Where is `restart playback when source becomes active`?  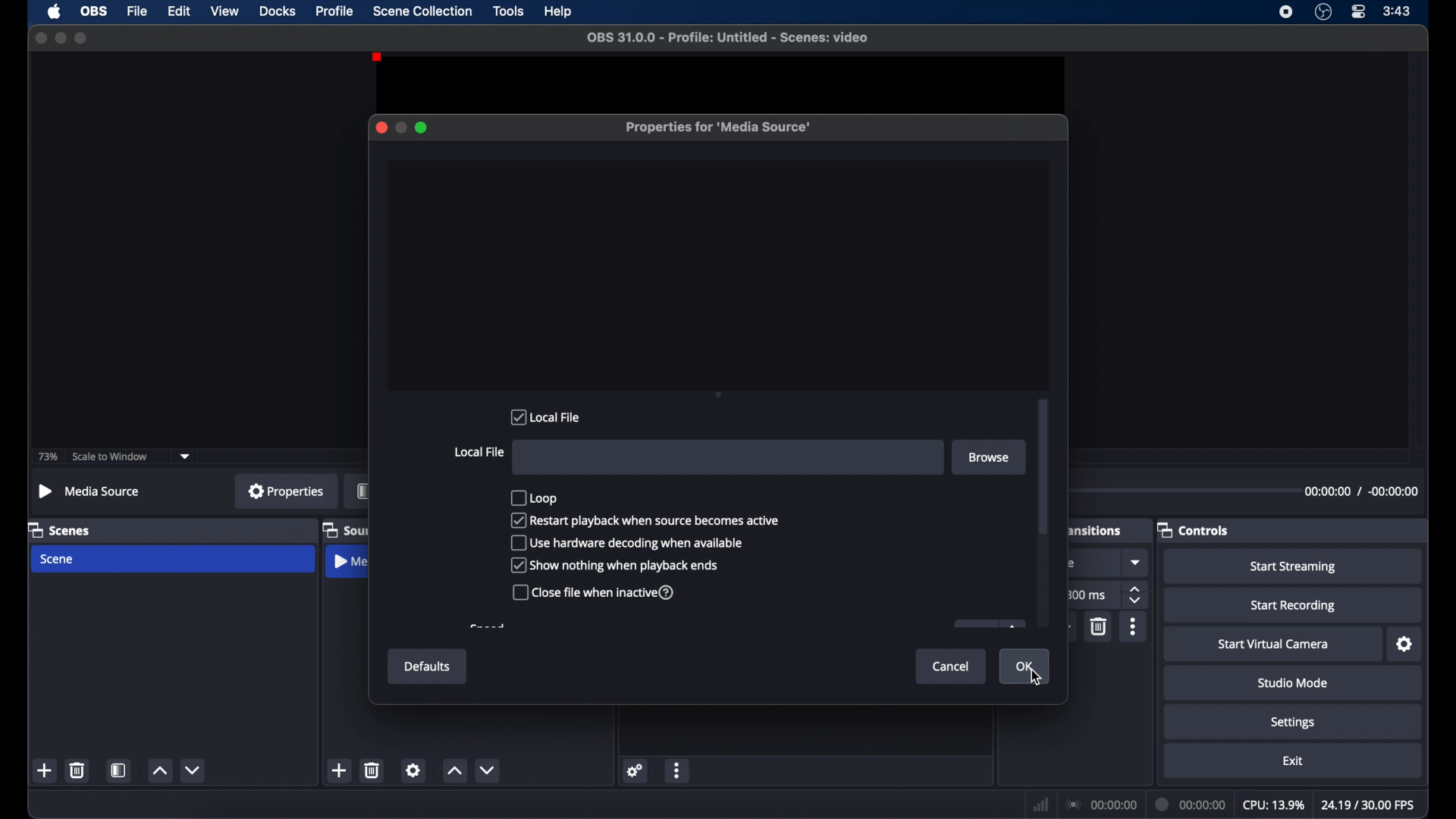
restart playback when source becomes active is located at coordinates (645, 519).